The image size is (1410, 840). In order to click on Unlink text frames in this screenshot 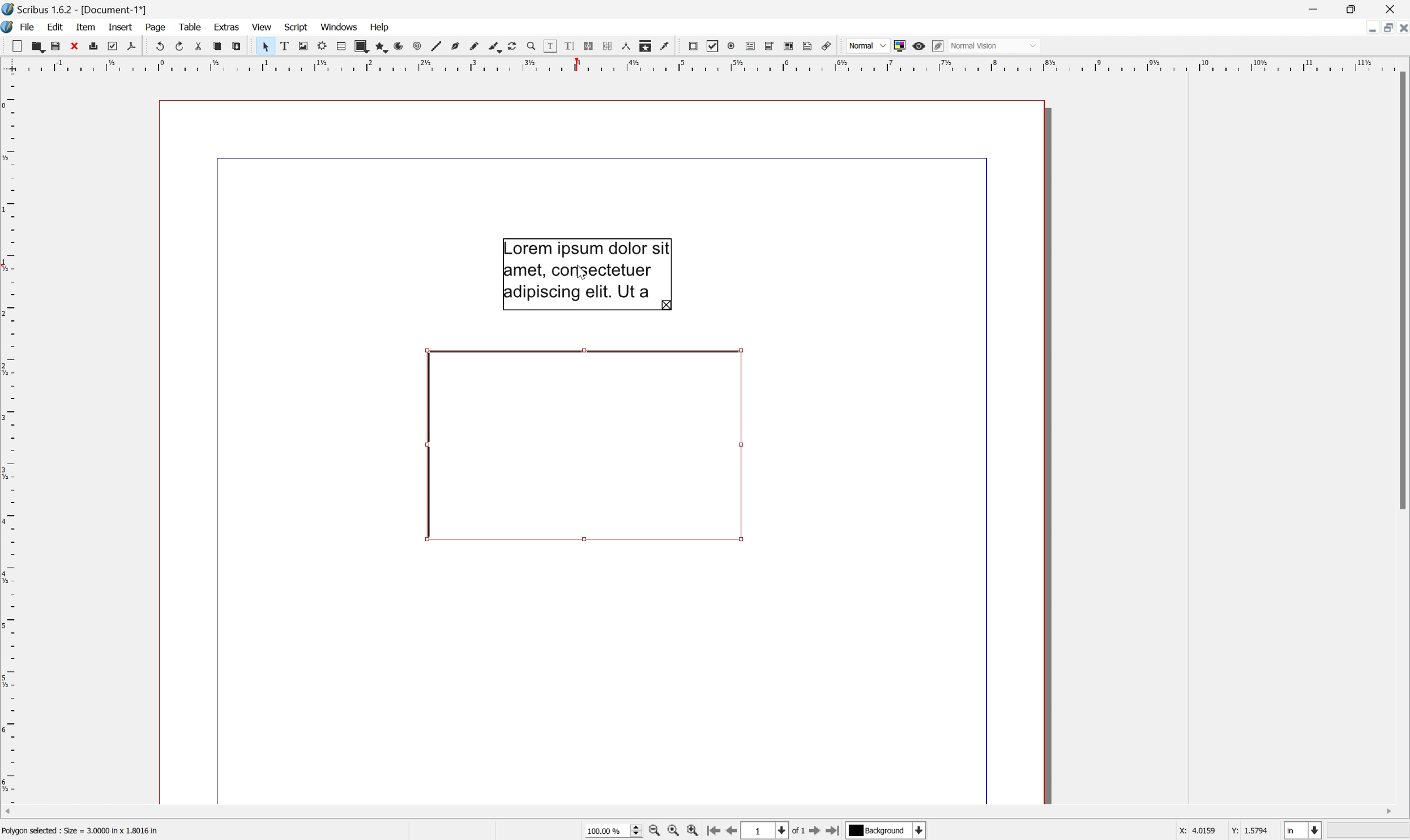, I will do `click(607, 45)`.